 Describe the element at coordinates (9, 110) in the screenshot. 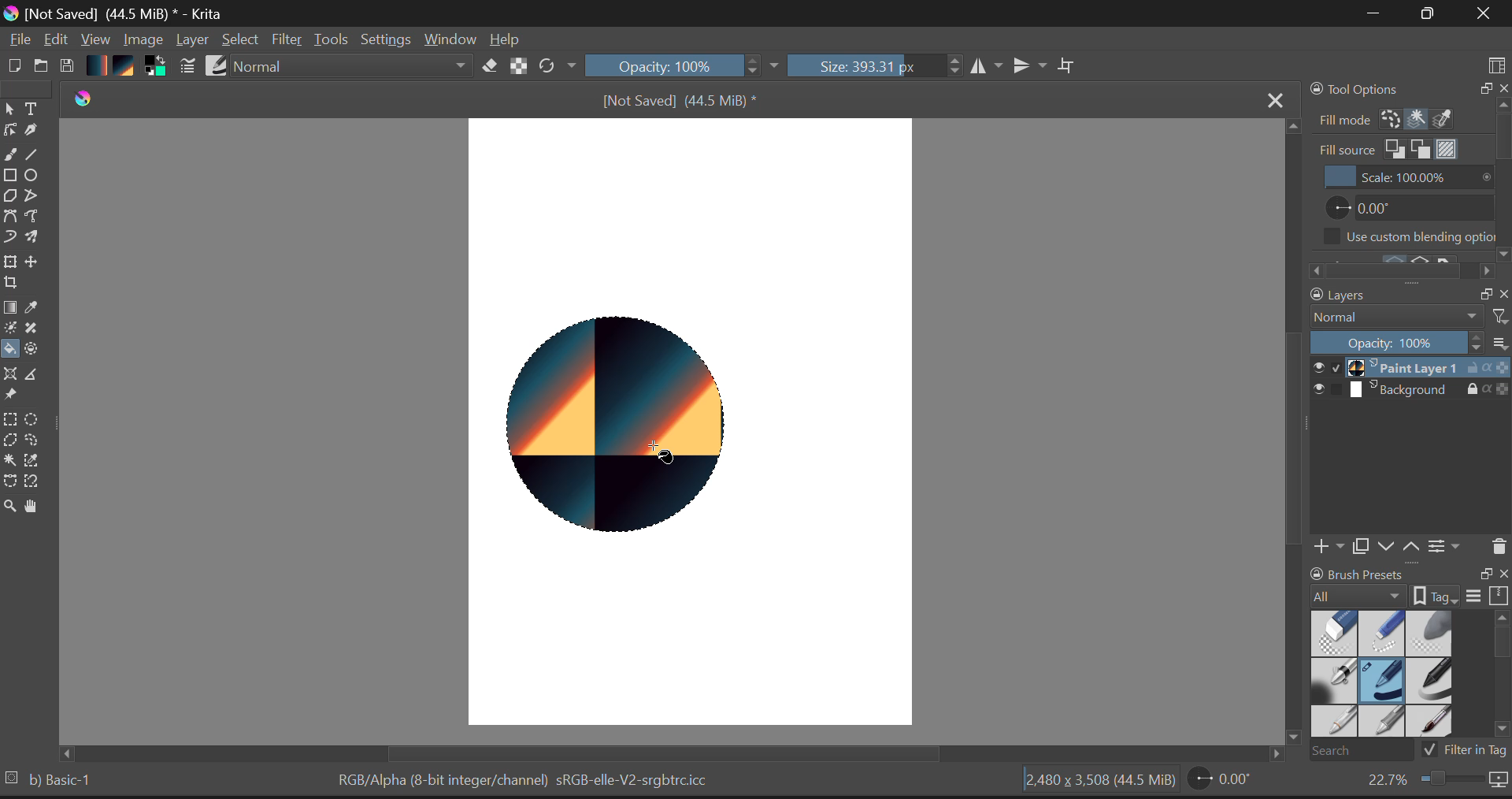

I see `Select` at that location.